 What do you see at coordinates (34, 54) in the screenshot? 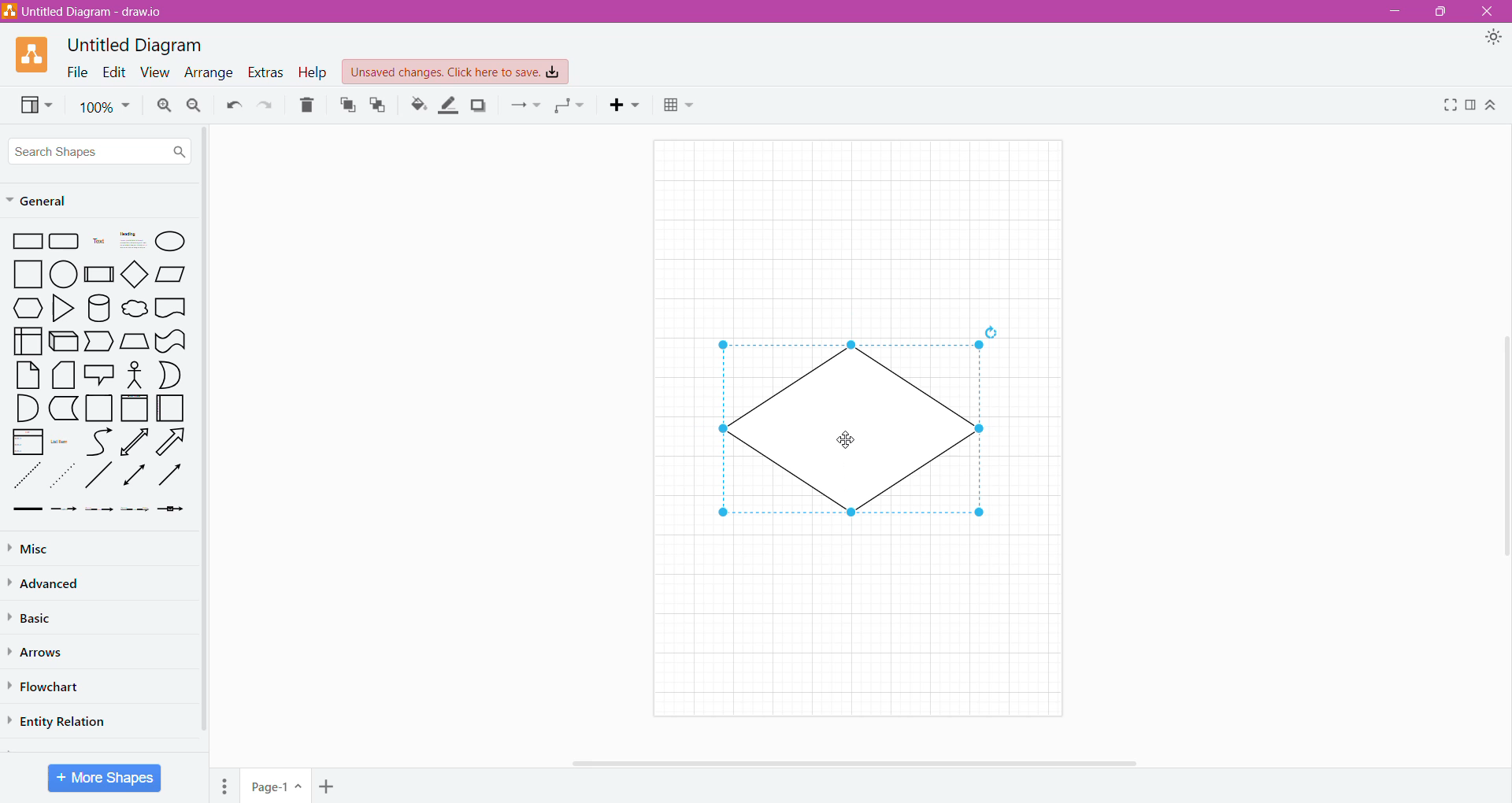
I see `Application Logo` at bounding box center [34, 54].